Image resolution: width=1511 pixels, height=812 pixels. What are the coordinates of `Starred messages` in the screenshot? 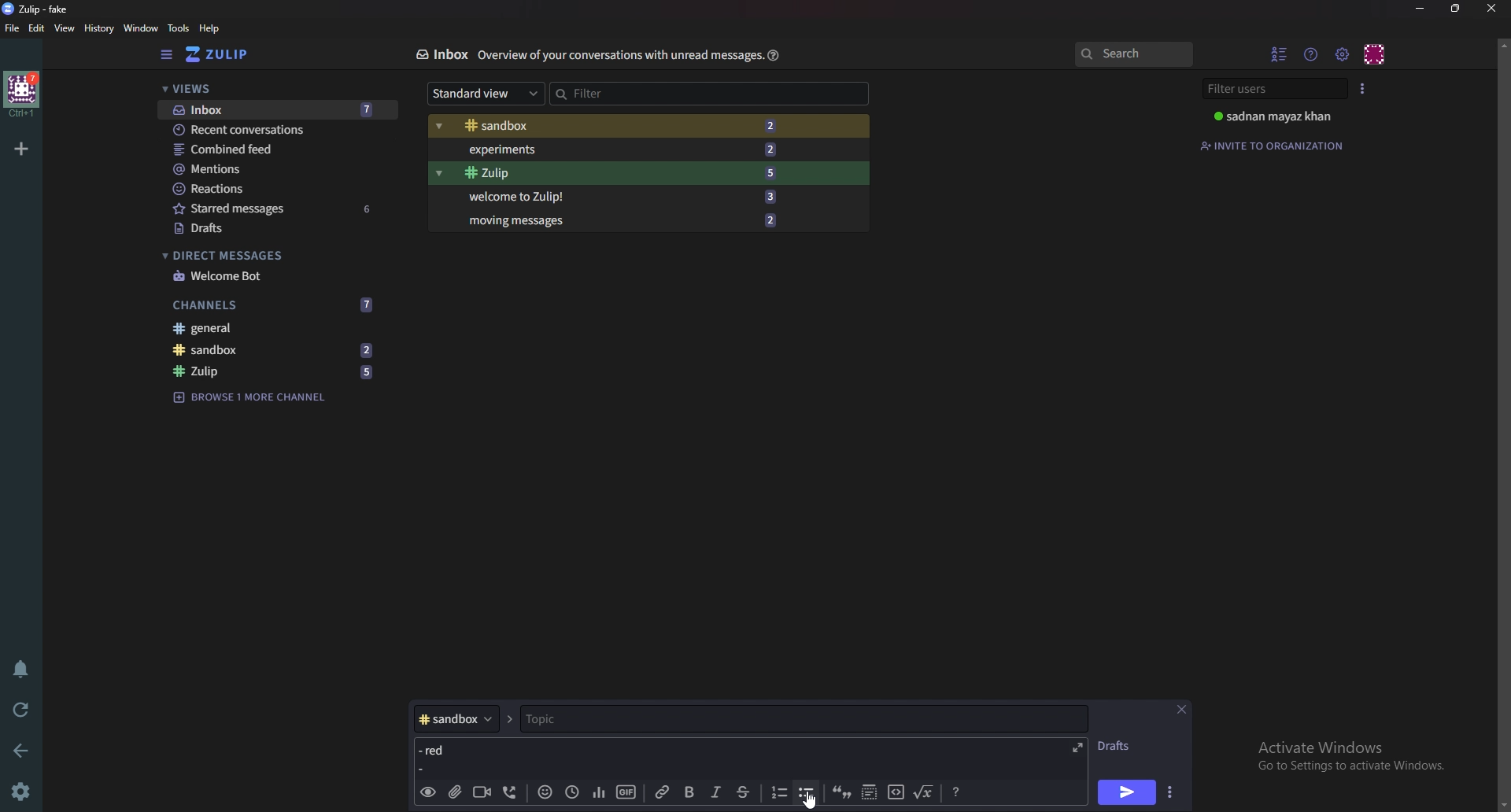 It's located at (278, 208).